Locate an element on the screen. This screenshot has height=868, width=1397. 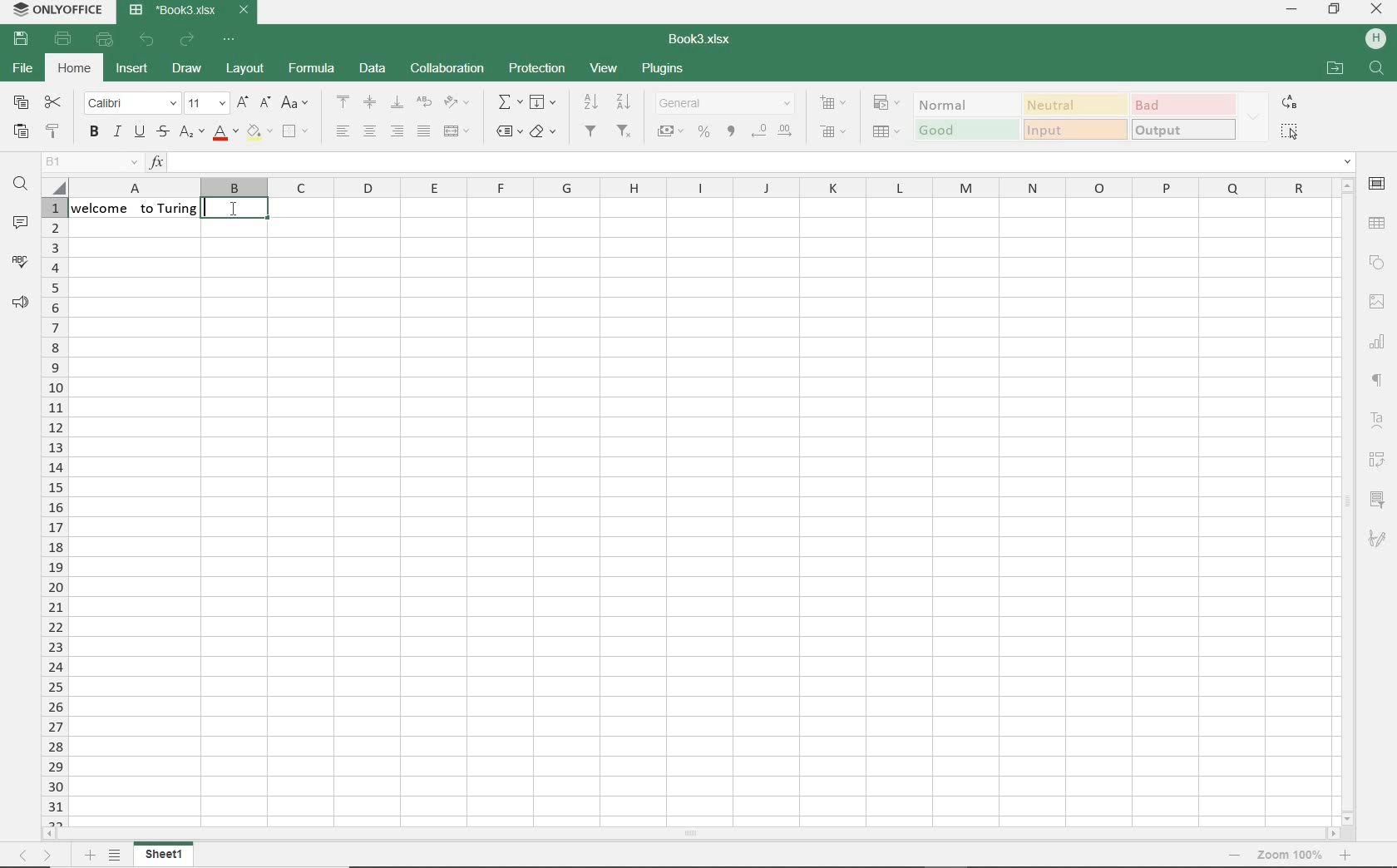
align middle is located at coordinates (369, 102).